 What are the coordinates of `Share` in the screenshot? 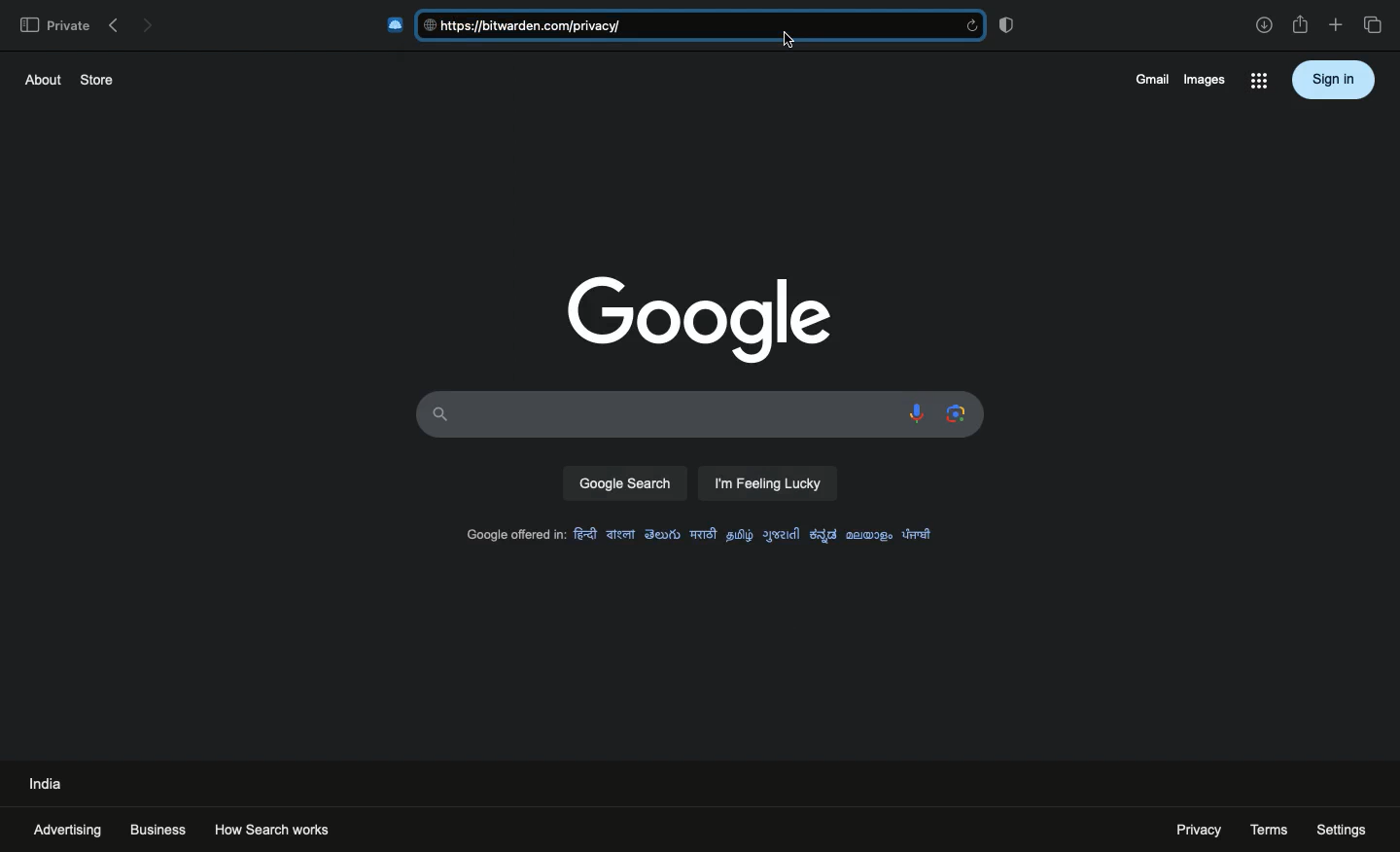 It's located at (1301, 25).